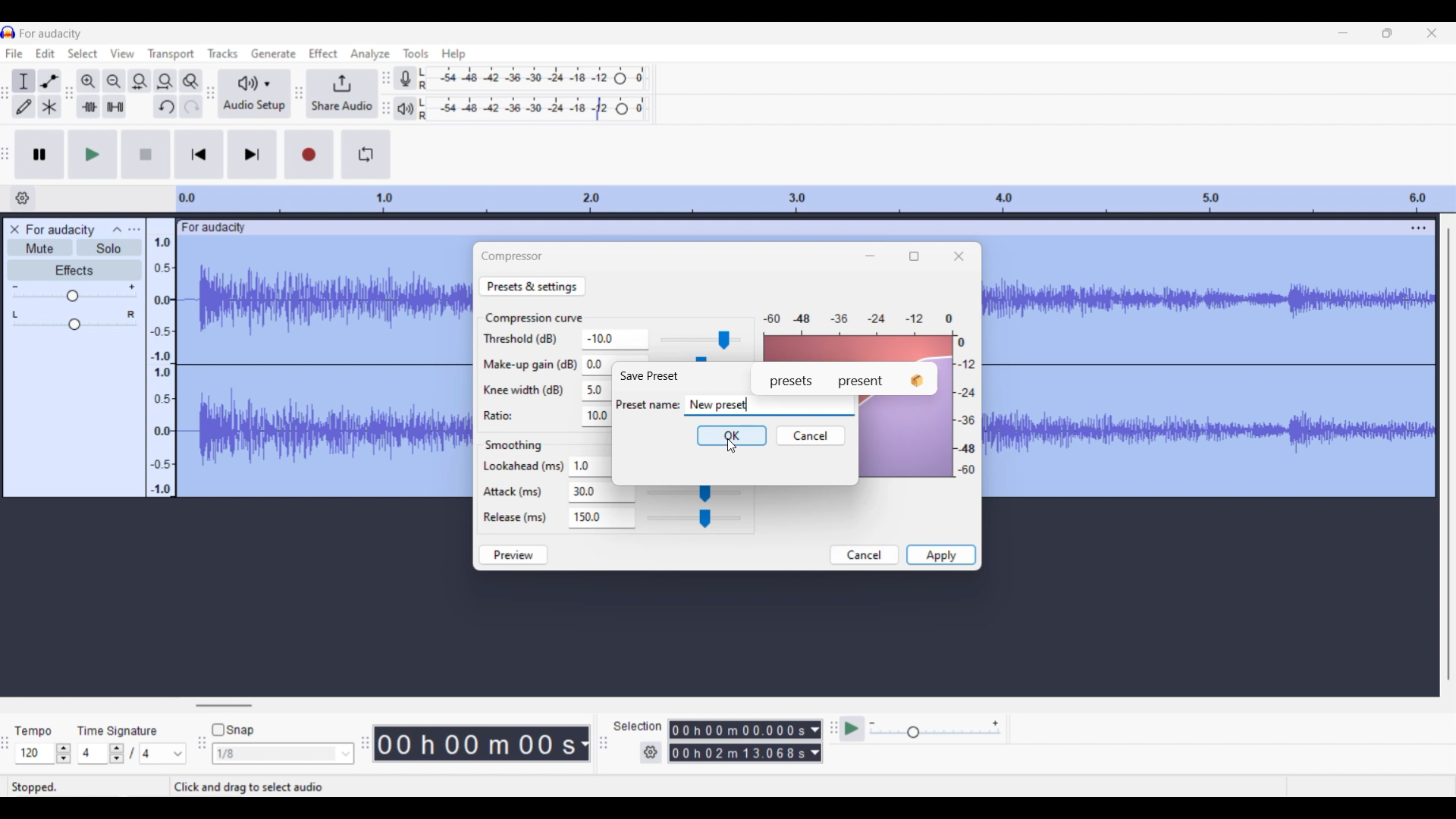 The width and height of the screenshot is (1456, 819). Describe the element at coordinates (934, 730) in the screenshot. I see `Playback speed scale` at that location.